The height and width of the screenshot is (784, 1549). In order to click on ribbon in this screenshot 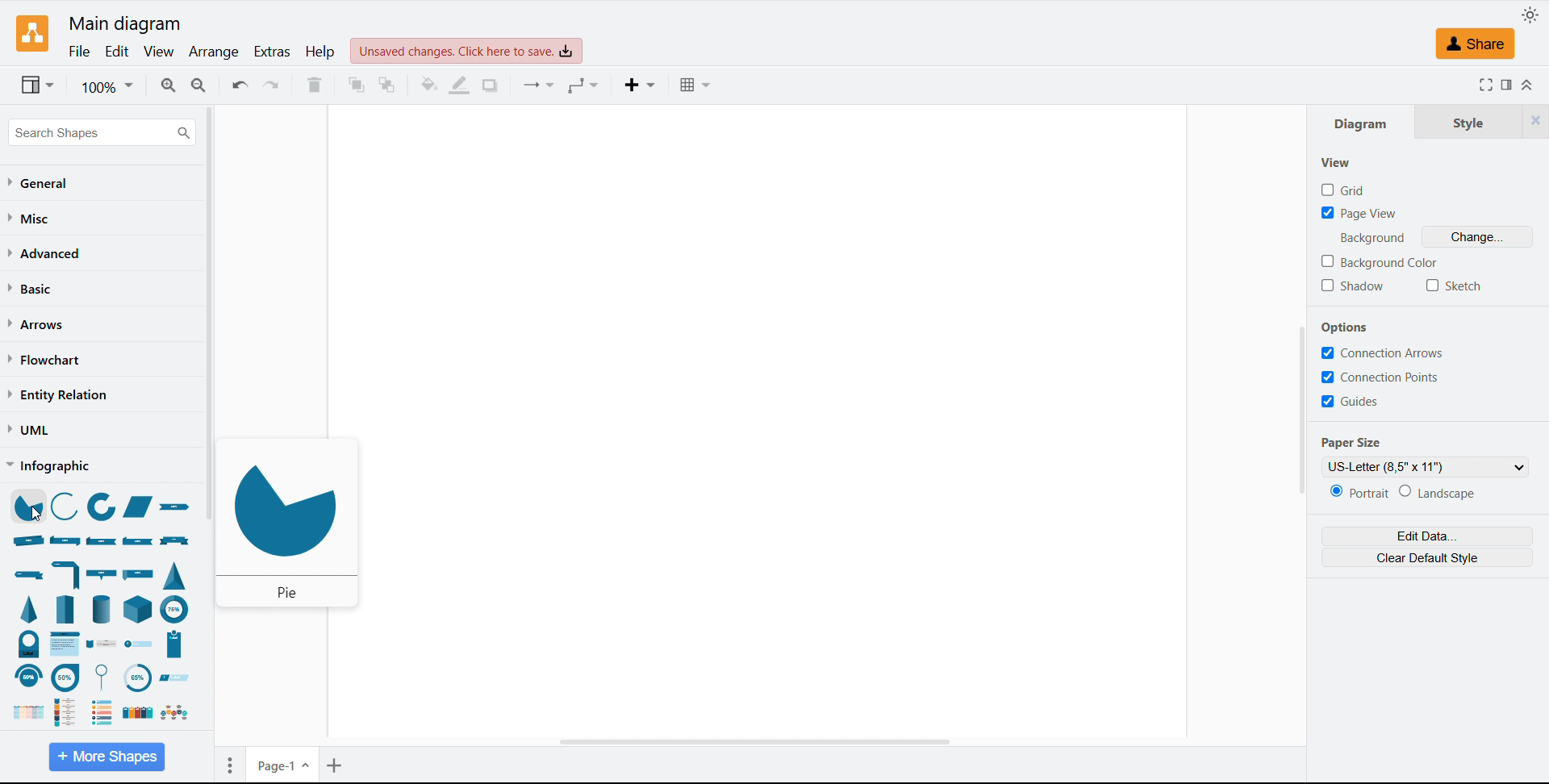, I will do `click(178, 507)`.